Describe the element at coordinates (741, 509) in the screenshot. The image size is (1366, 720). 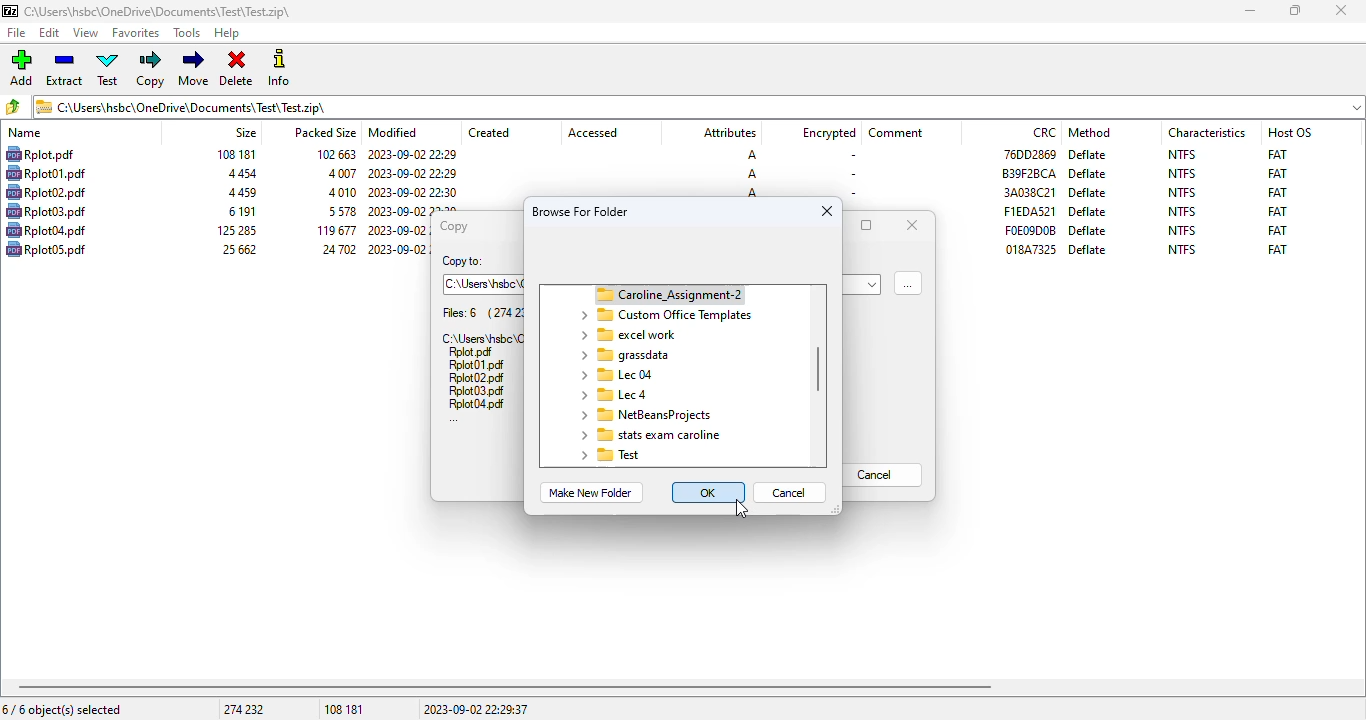
I see `cursor` at that location.